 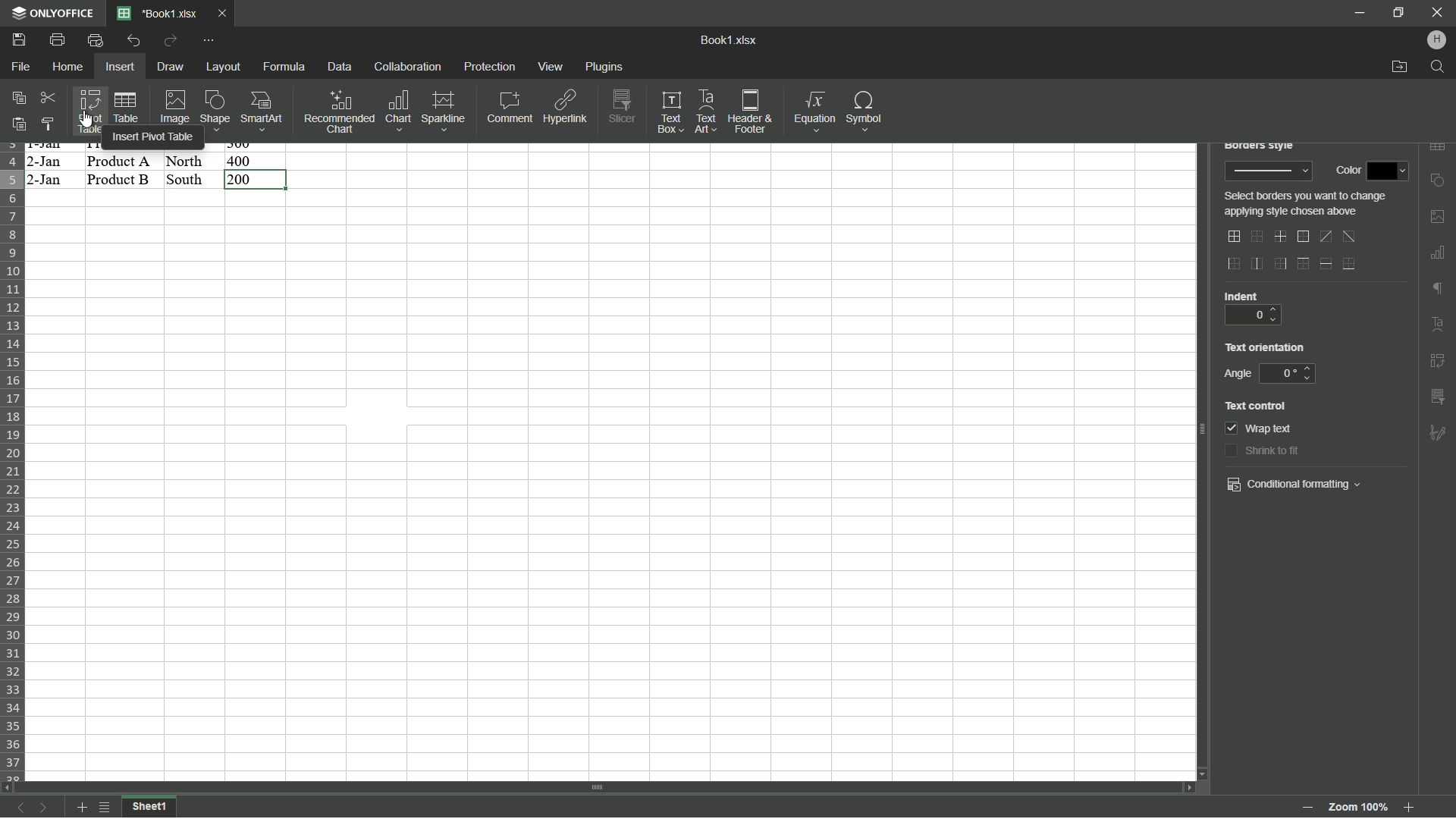 What do you see at coordinates (174, 106) in the screenshot?
I see `Image` at bounding box center [174, 106].